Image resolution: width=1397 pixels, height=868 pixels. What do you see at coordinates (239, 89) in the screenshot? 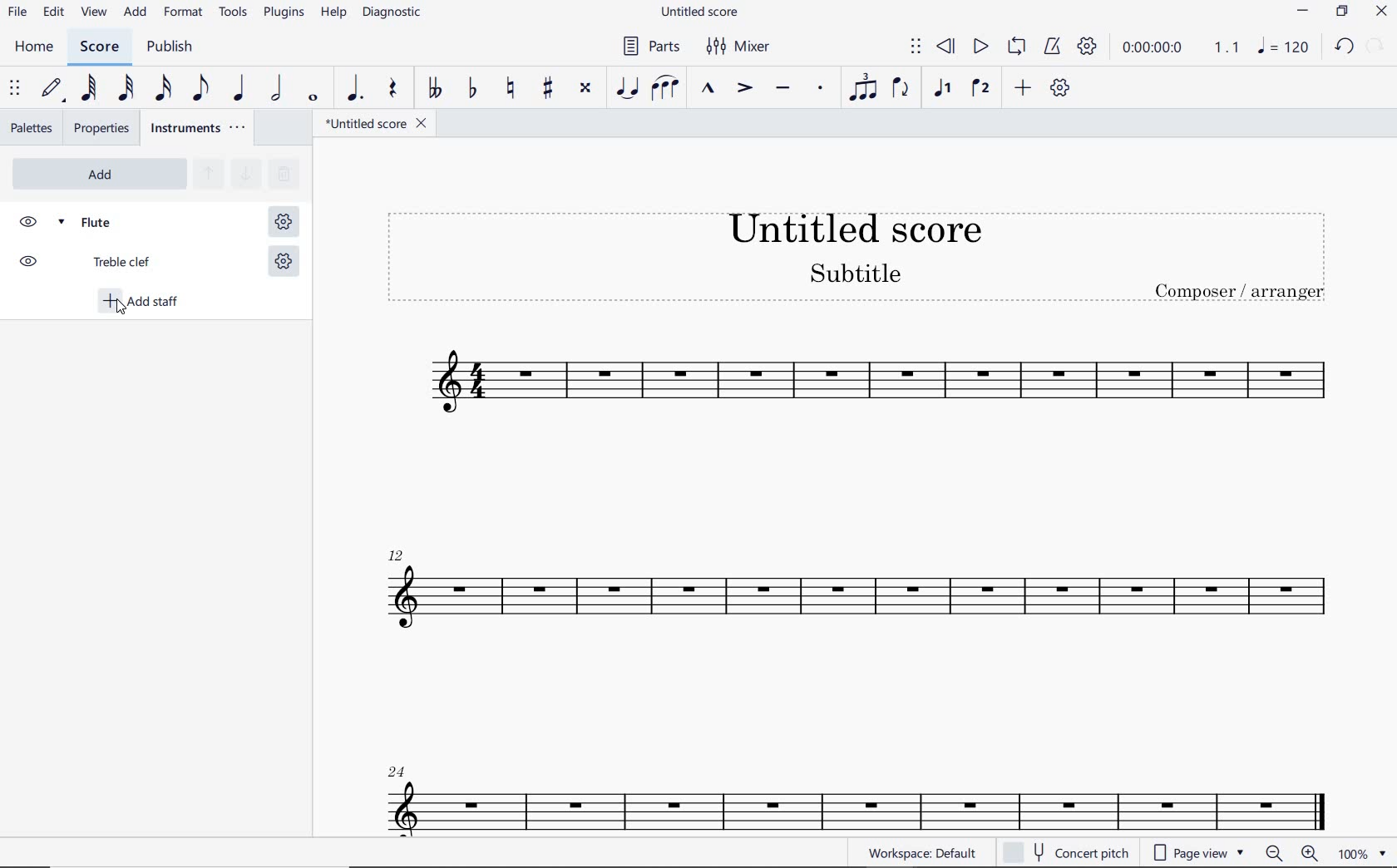
I see `QUARTER NOTE` at bounding box center [239, 89].